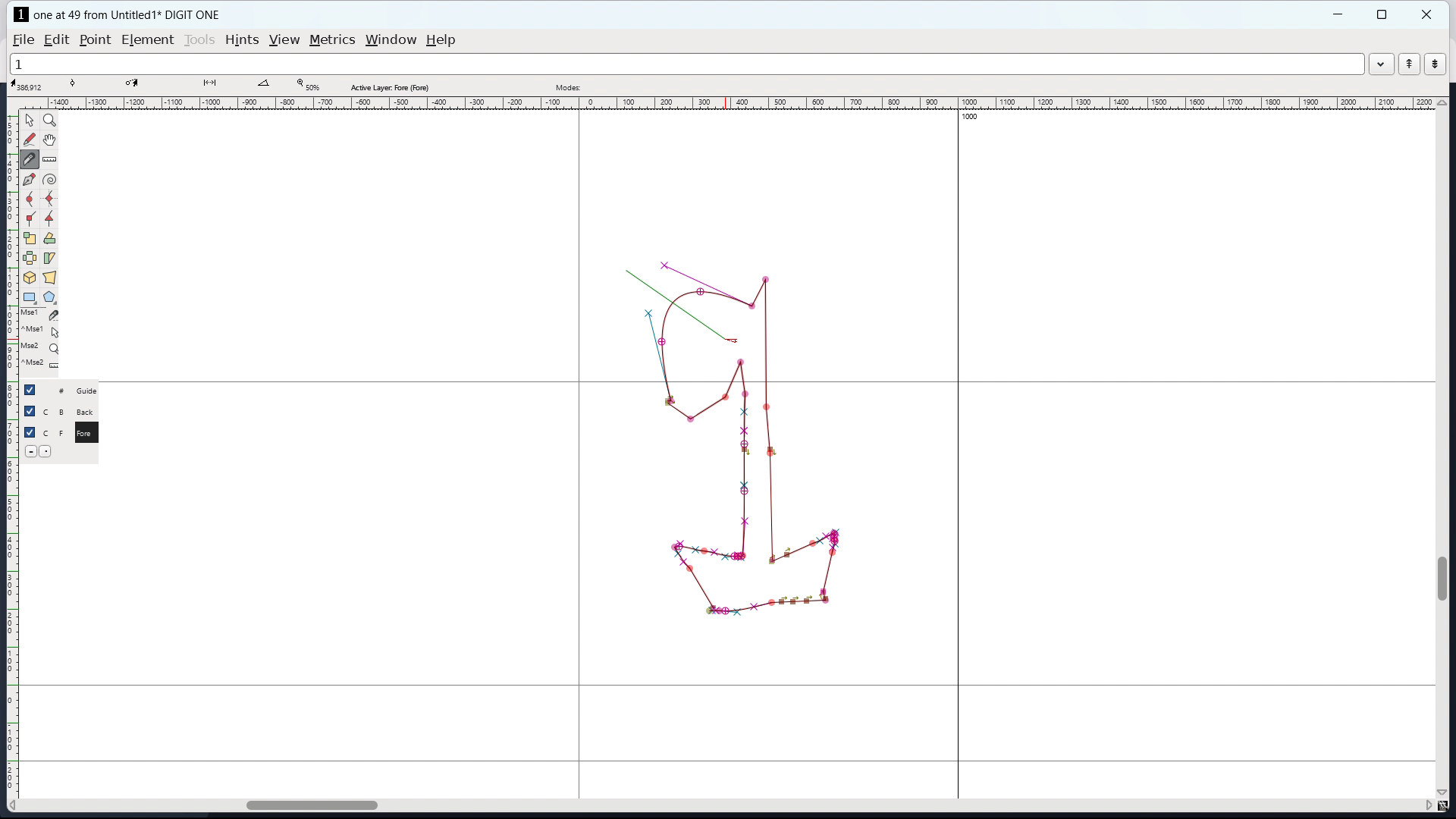 This screenshot has height=819, width=1456. Describe the element at coordinates (29, 238) in the screenshot. I see `scale selection` at that location.